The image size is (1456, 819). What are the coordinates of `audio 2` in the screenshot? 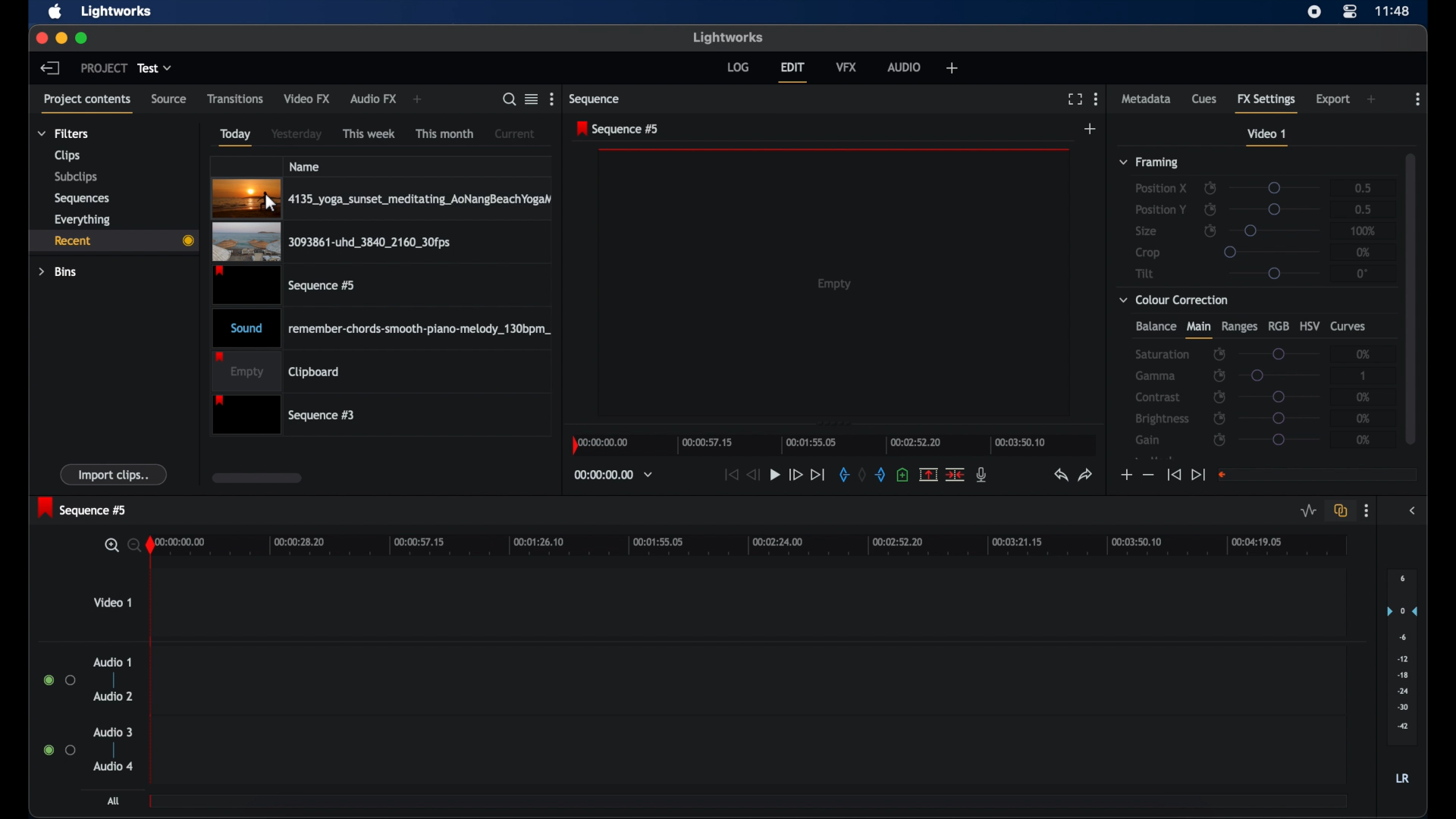 It's located at (112, 696).